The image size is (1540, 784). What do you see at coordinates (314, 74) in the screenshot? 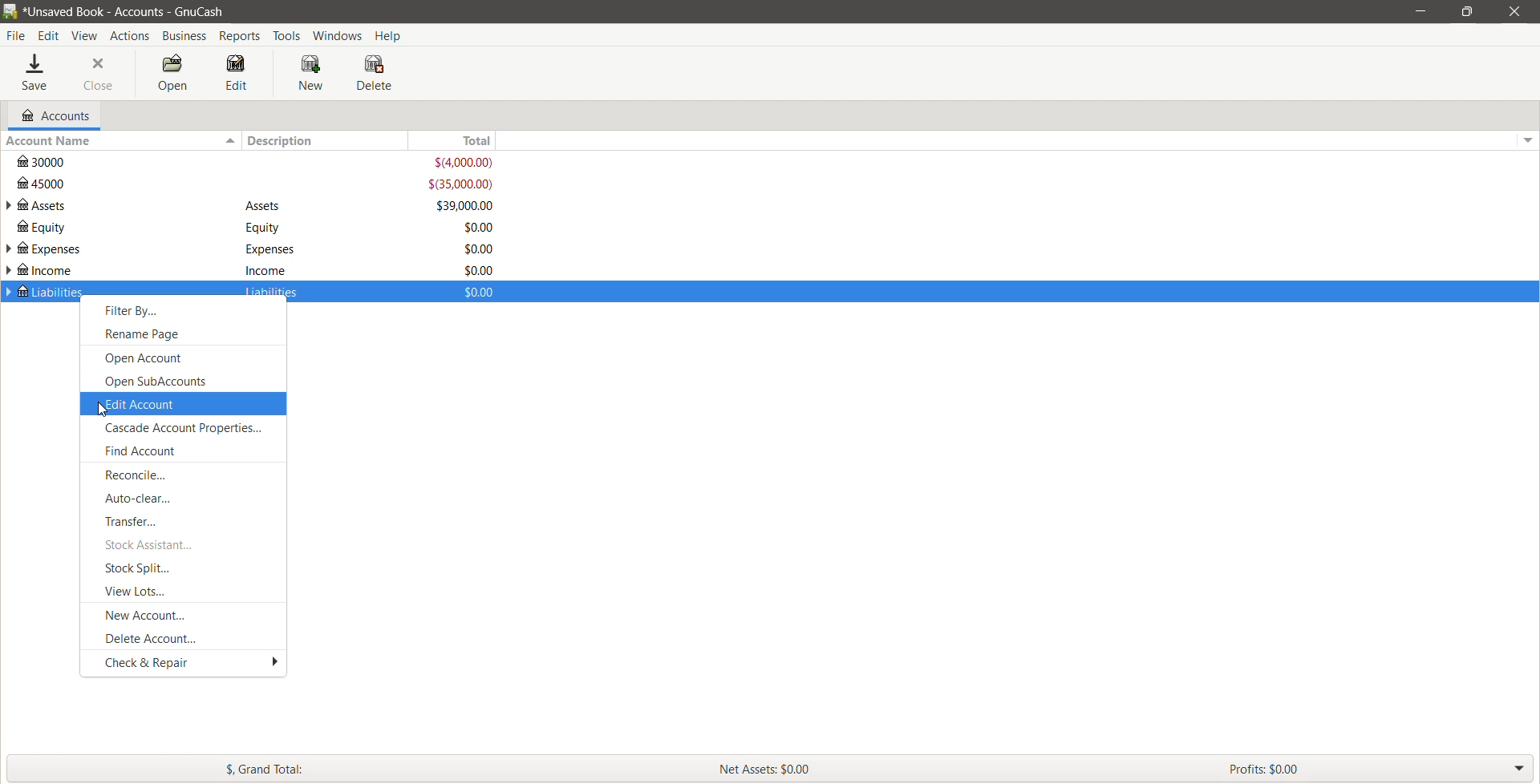
I see `New` at bounding box center [314, 74].